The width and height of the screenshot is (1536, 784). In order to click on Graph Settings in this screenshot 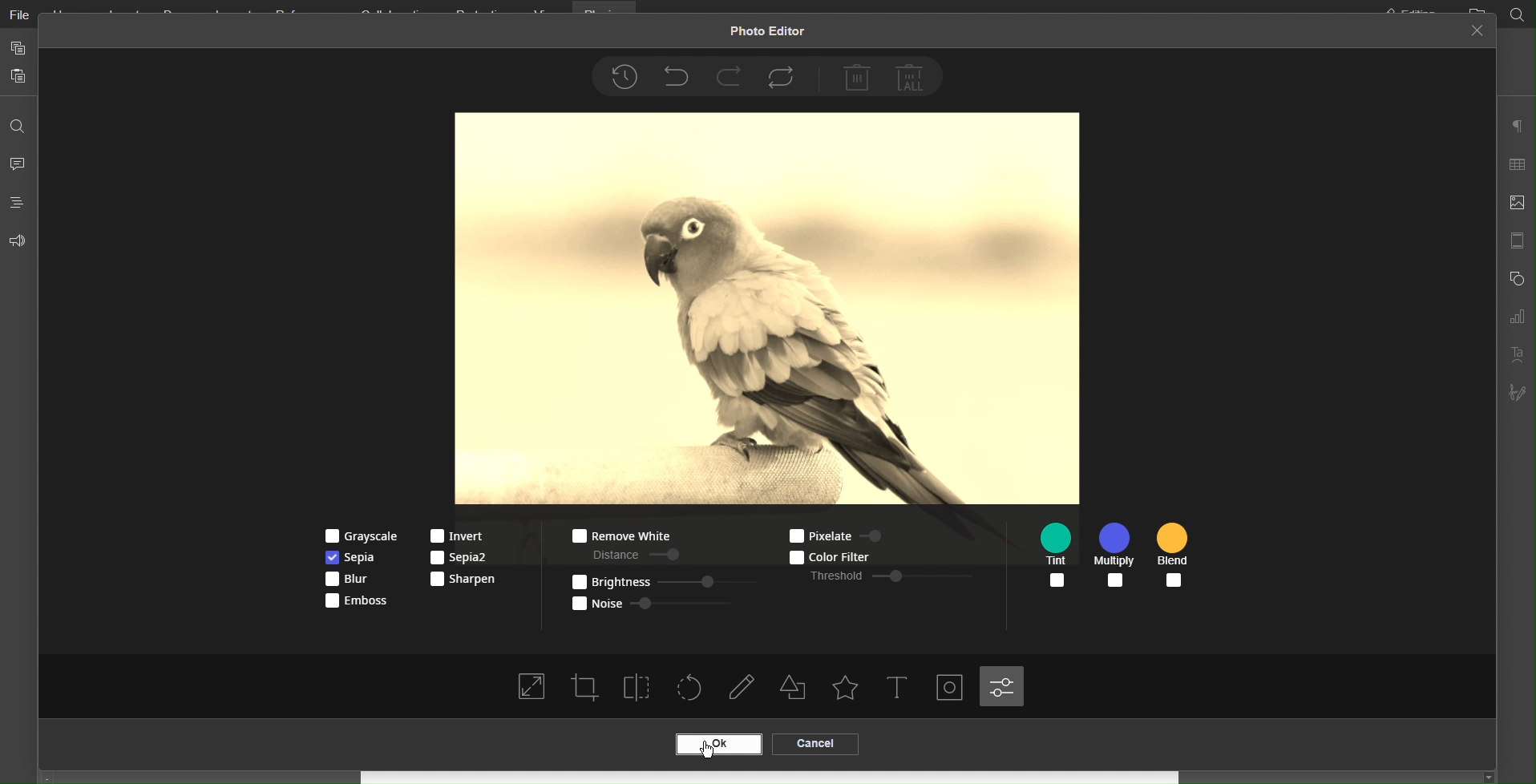, I will do `click(1516, 317)`.